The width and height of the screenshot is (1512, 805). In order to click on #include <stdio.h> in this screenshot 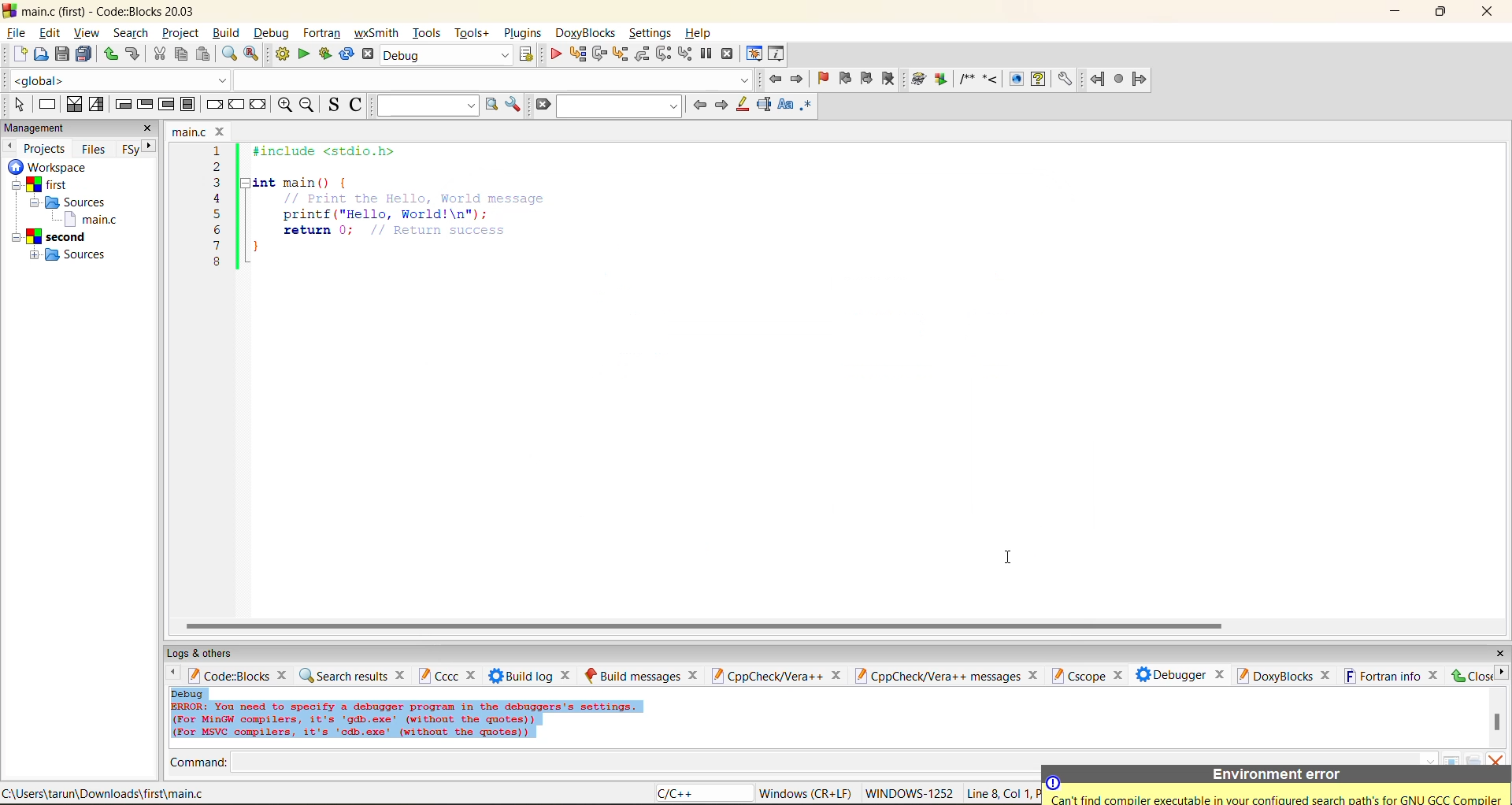, I will do `click(334, 151)`.